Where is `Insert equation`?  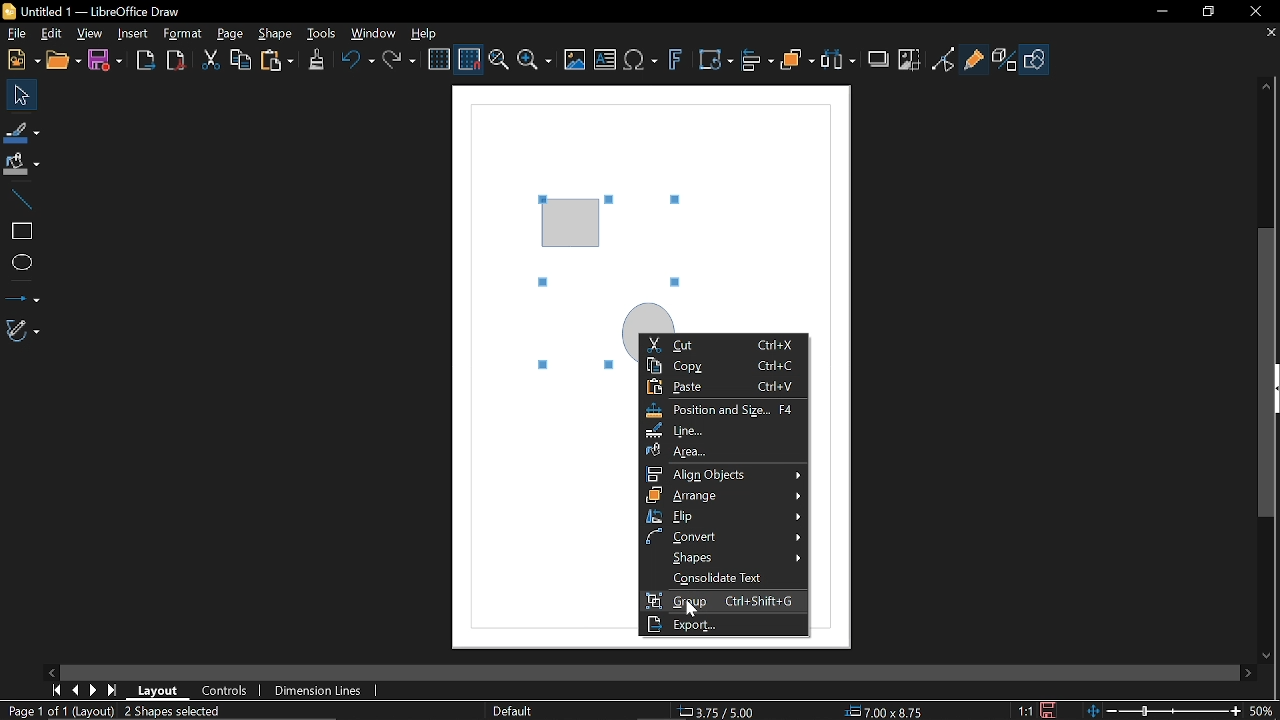 Insert equation is located at coordinates (643, 60).